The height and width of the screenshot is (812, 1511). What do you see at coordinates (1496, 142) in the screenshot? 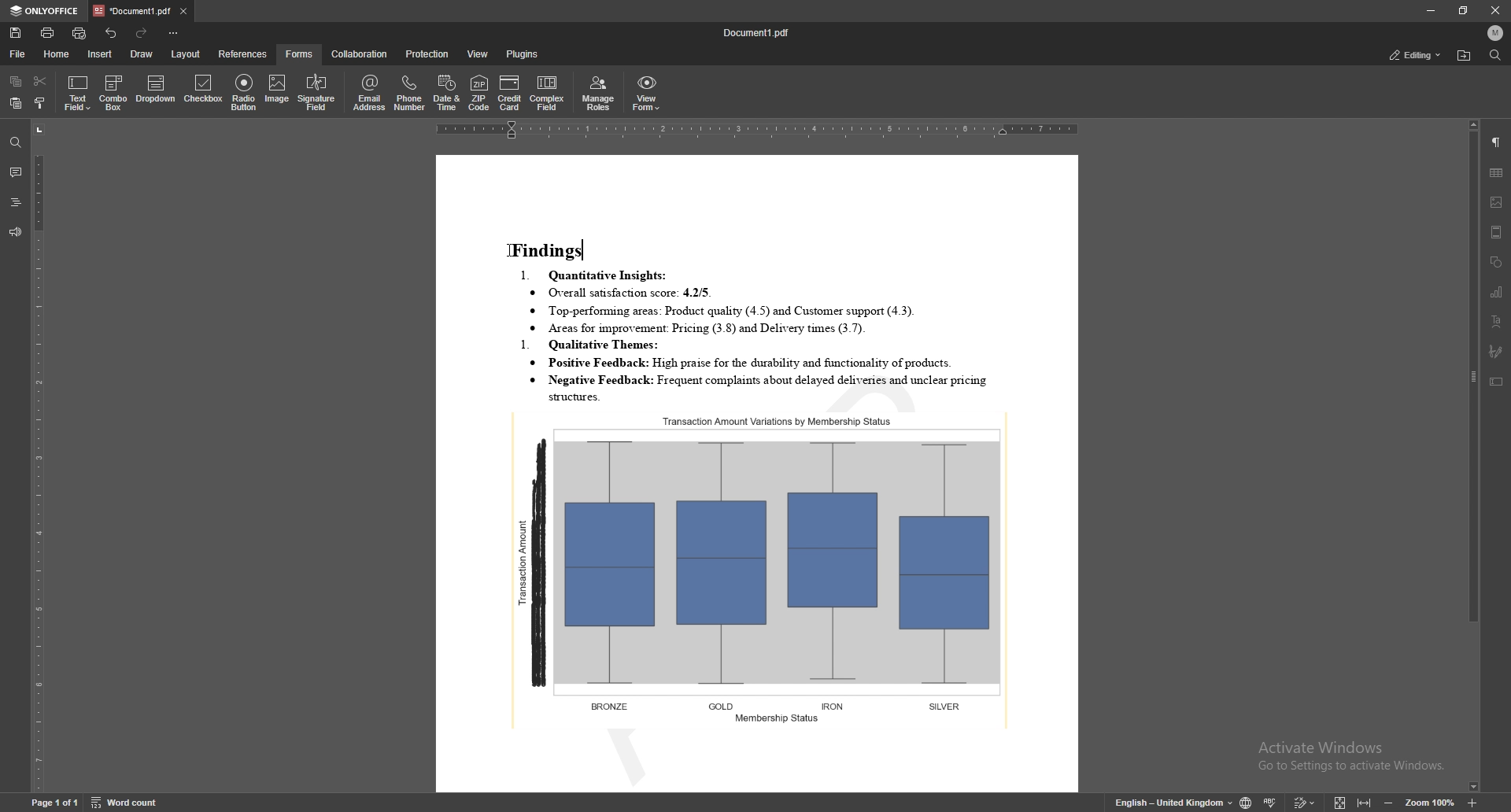
I see `paragraph` at bounding box center [1496, 142].